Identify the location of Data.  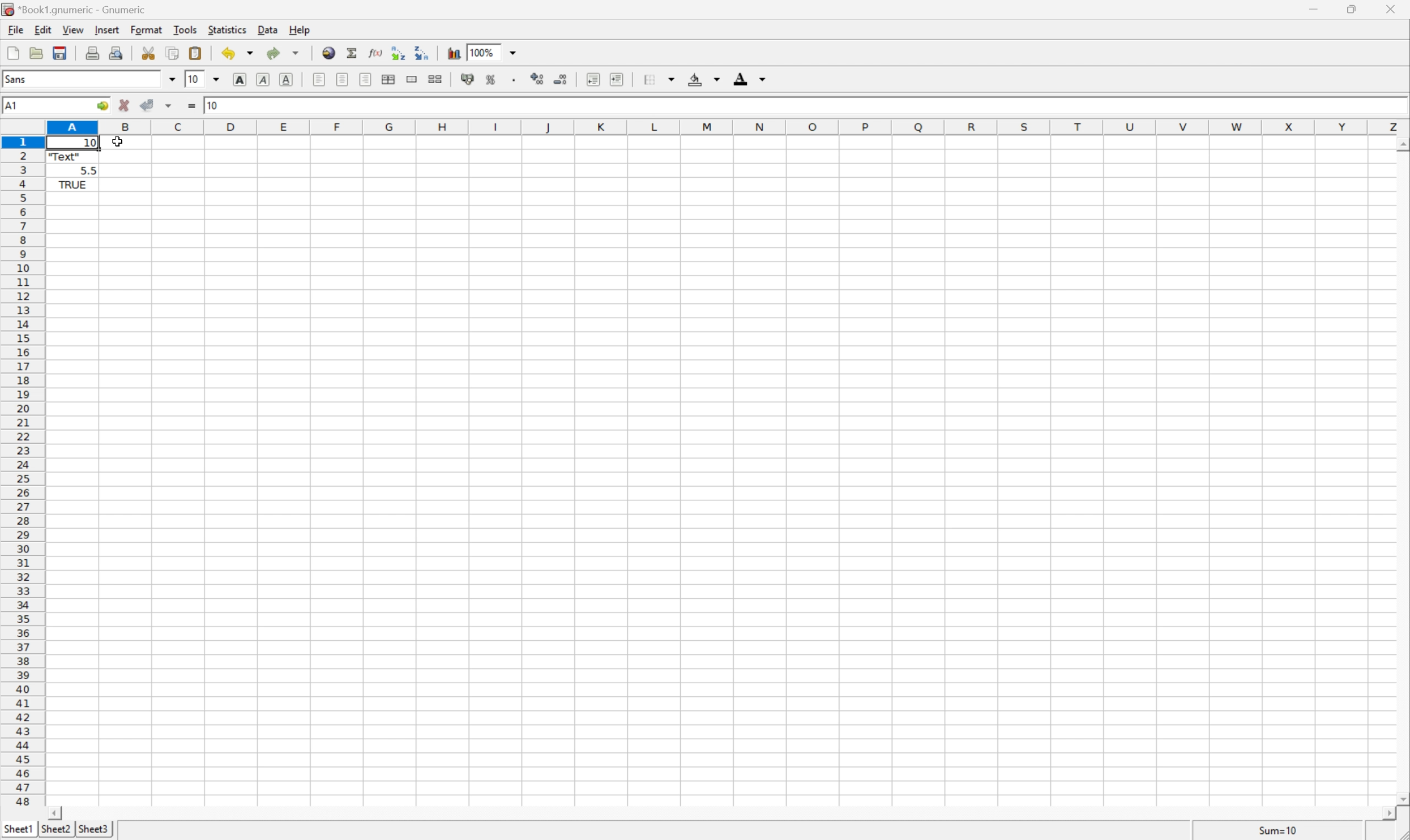
(266, 29).